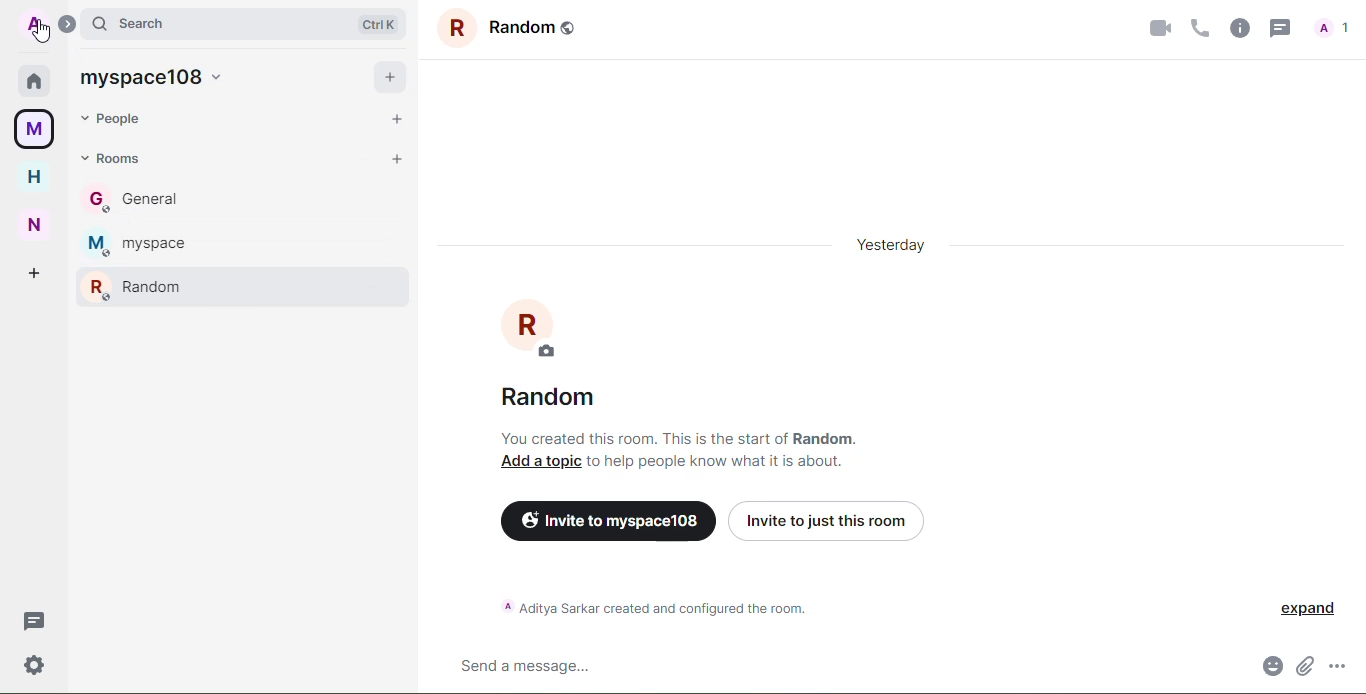 This screenshot has width=1366, height=694. I want to click on invite just to this room, so click(829, 520).